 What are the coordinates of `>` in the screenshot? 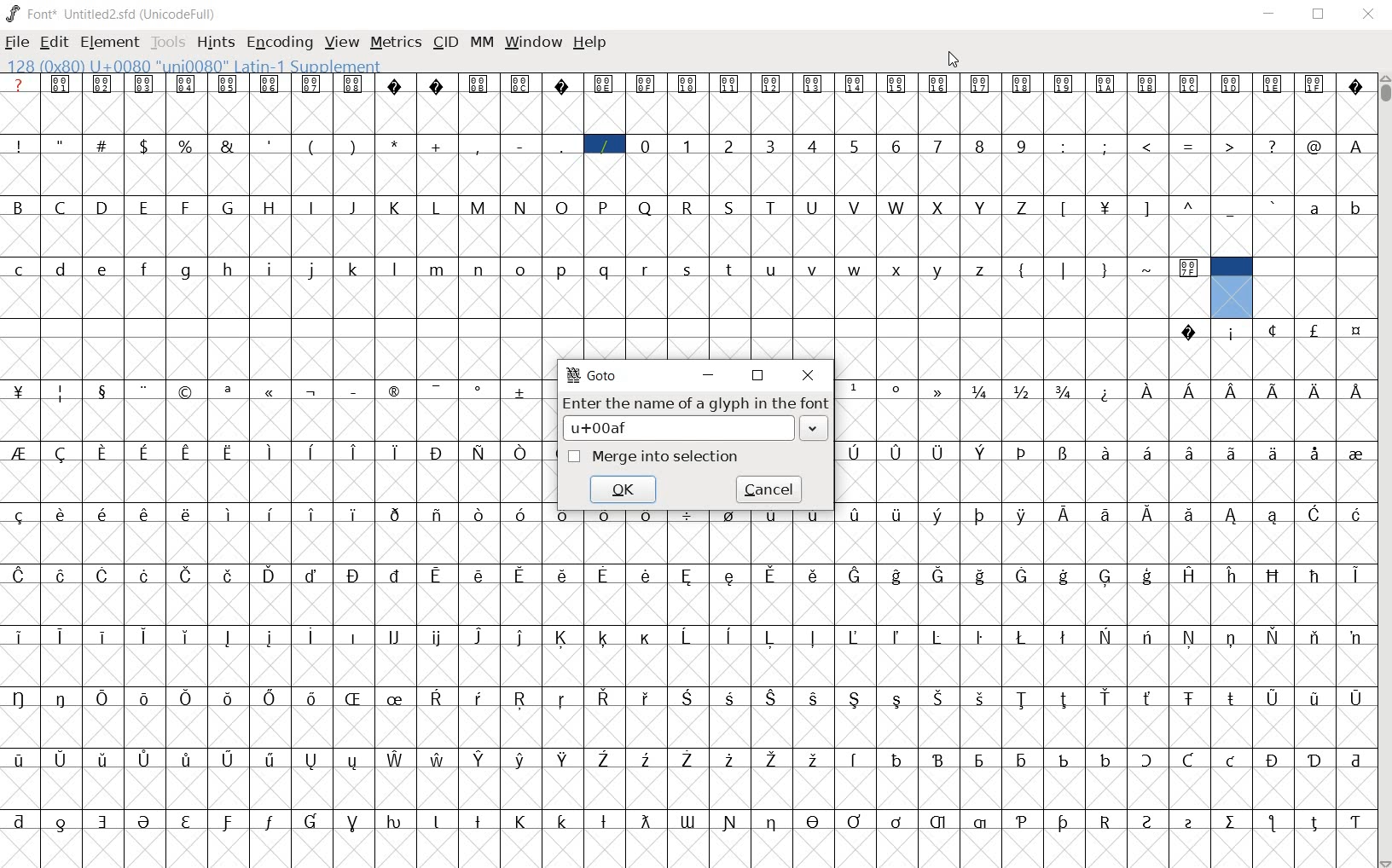 It's located at (1232, 145).